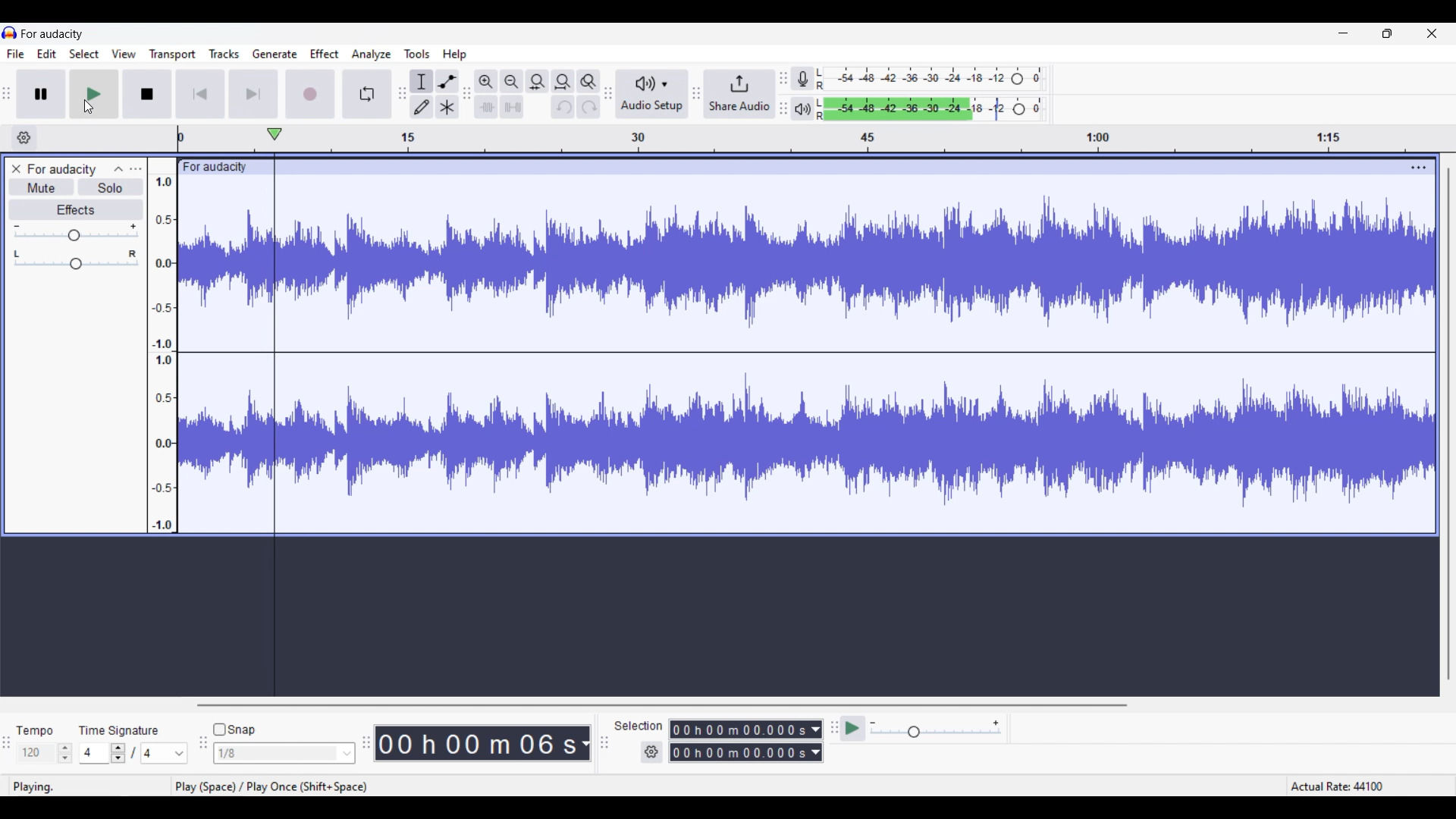  Describe the element at coordinates (935, 730) in the screenshot. I see `Playback speed slider` at that location.